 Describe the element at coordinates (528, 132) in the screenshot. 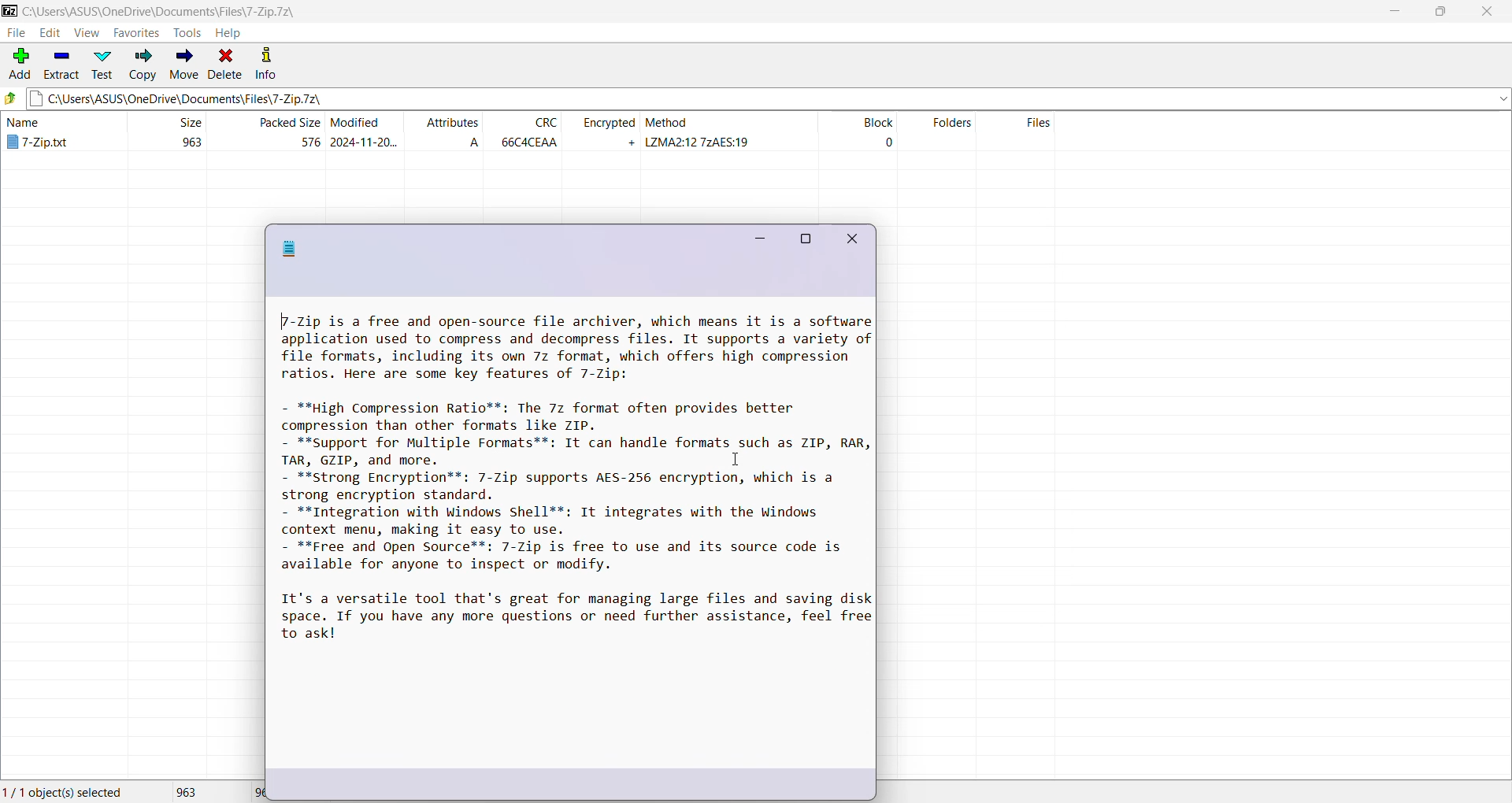

I see `CRC` at that location.